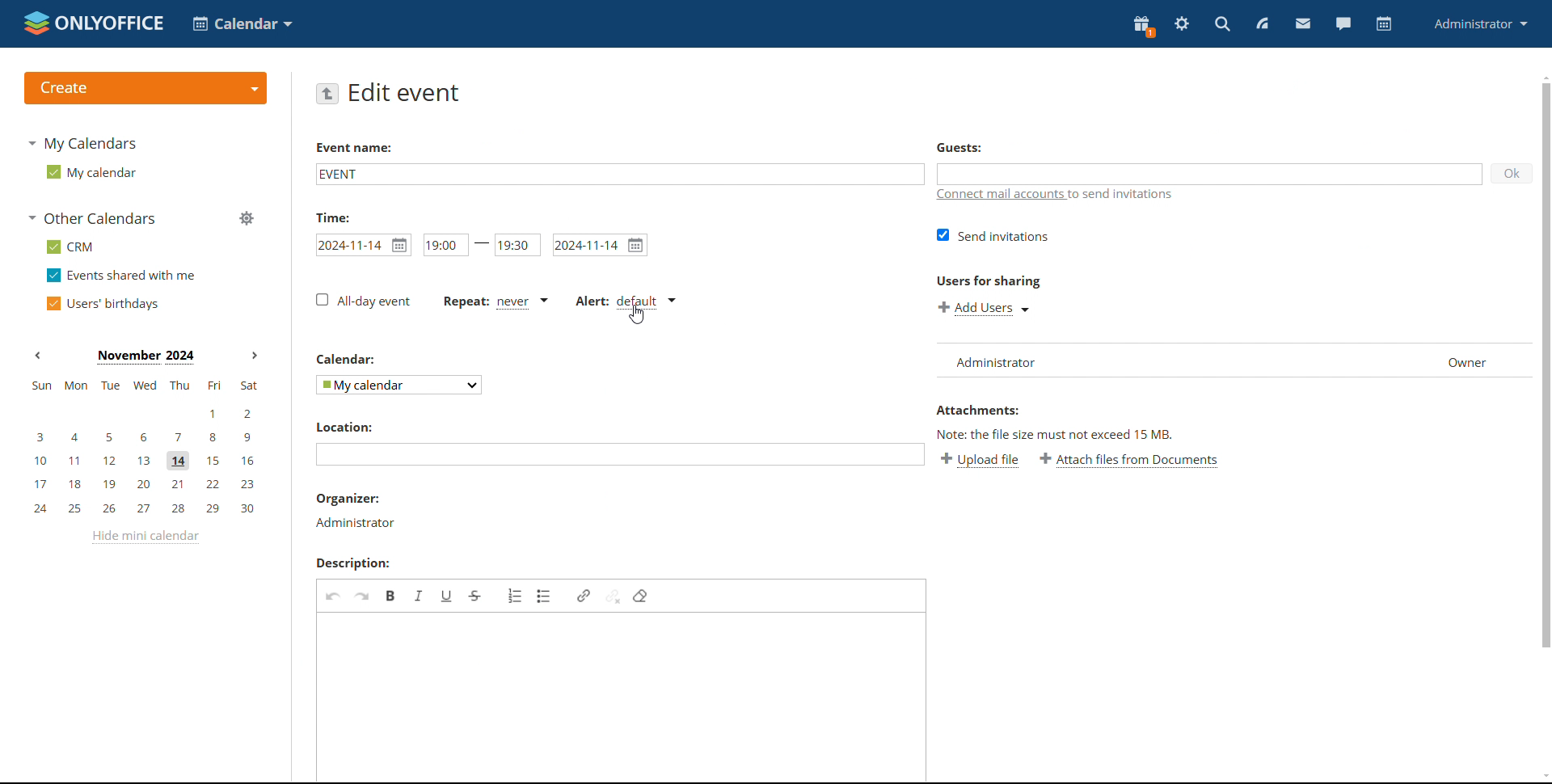 The width and height of the screenshot is (1552, 784). Describe the element at coordinates (985, 307) in the screenshot. I see `add users` at that location.